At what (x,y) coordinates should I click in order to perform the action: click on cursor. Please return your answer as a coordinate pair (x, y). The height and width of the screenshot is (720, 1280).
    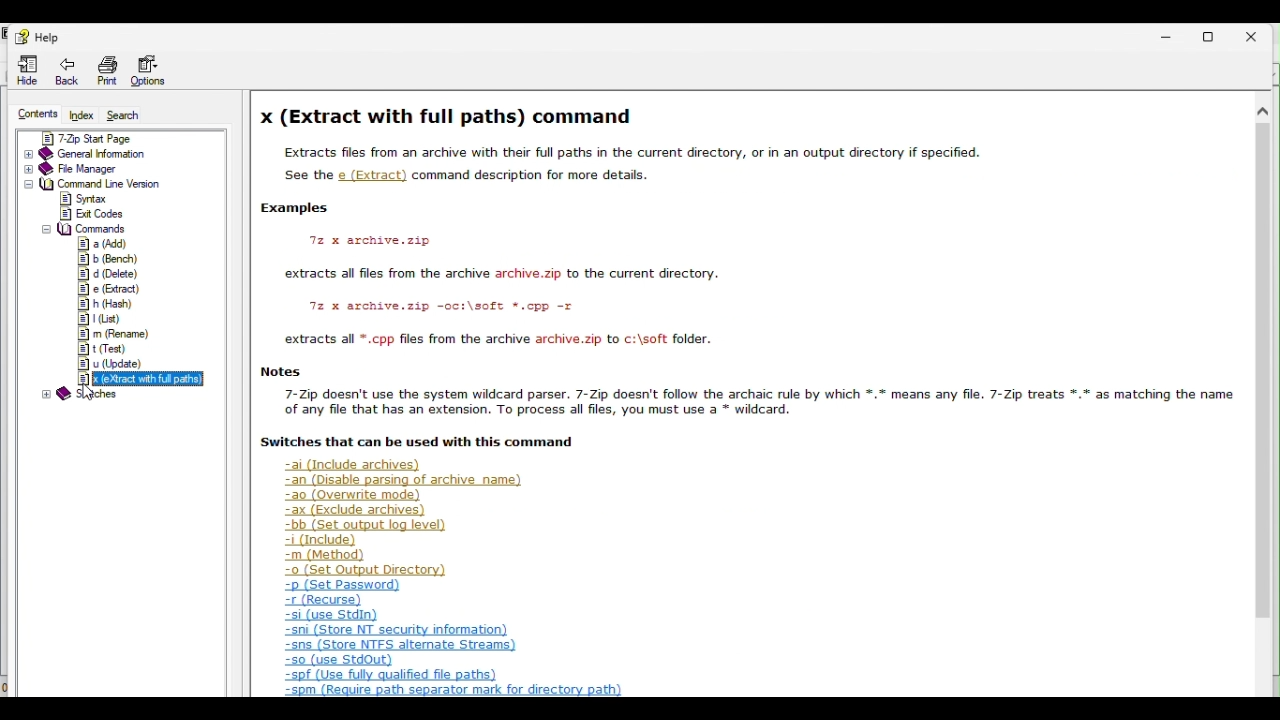
    Looking at the image, I should click on (89, 393).